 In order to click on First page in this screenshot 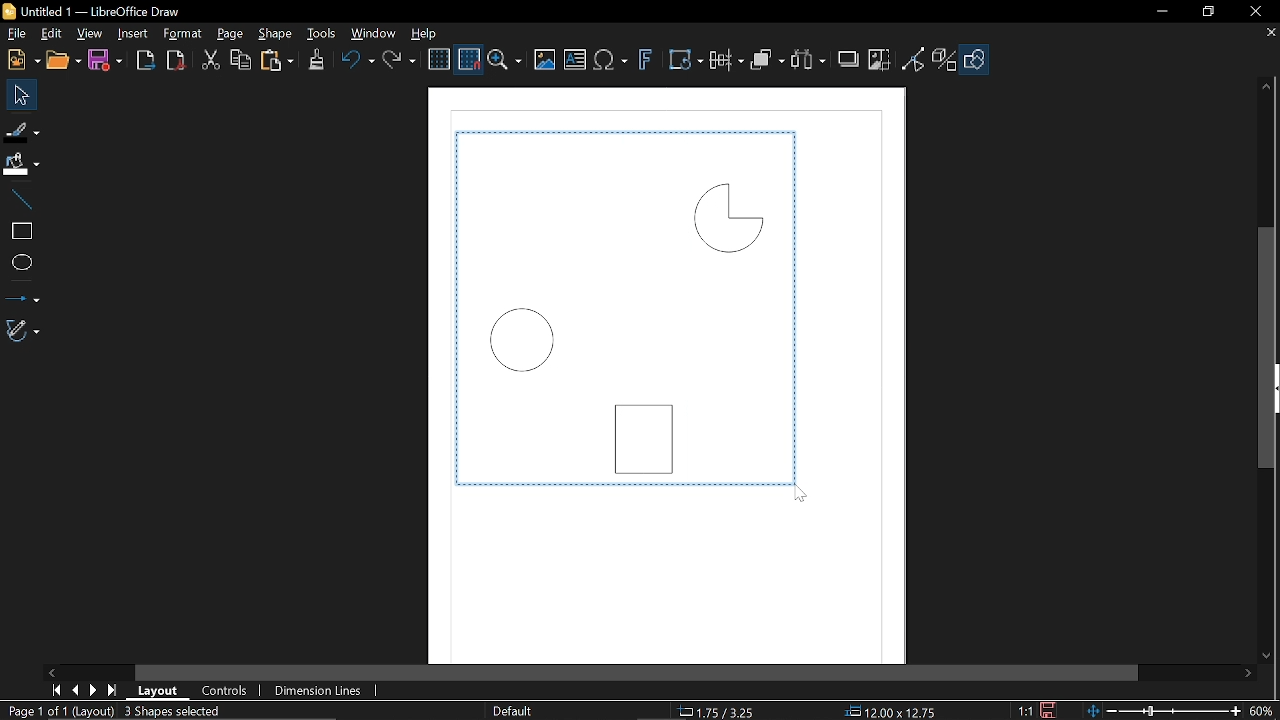, I will do `click(56, 691)`.